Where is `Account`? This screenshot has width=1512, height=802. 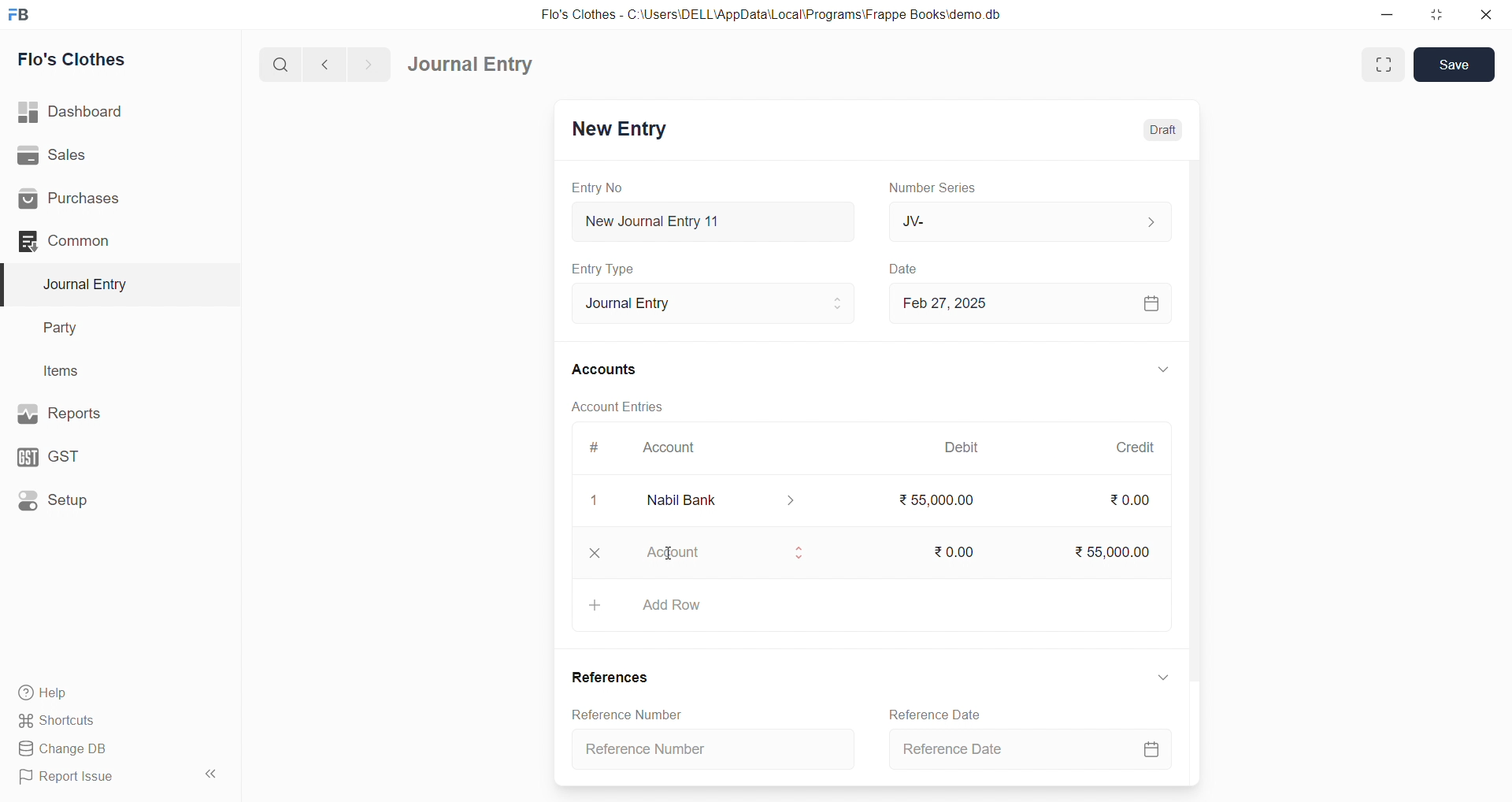 Account is located at coordinates (724, 555).